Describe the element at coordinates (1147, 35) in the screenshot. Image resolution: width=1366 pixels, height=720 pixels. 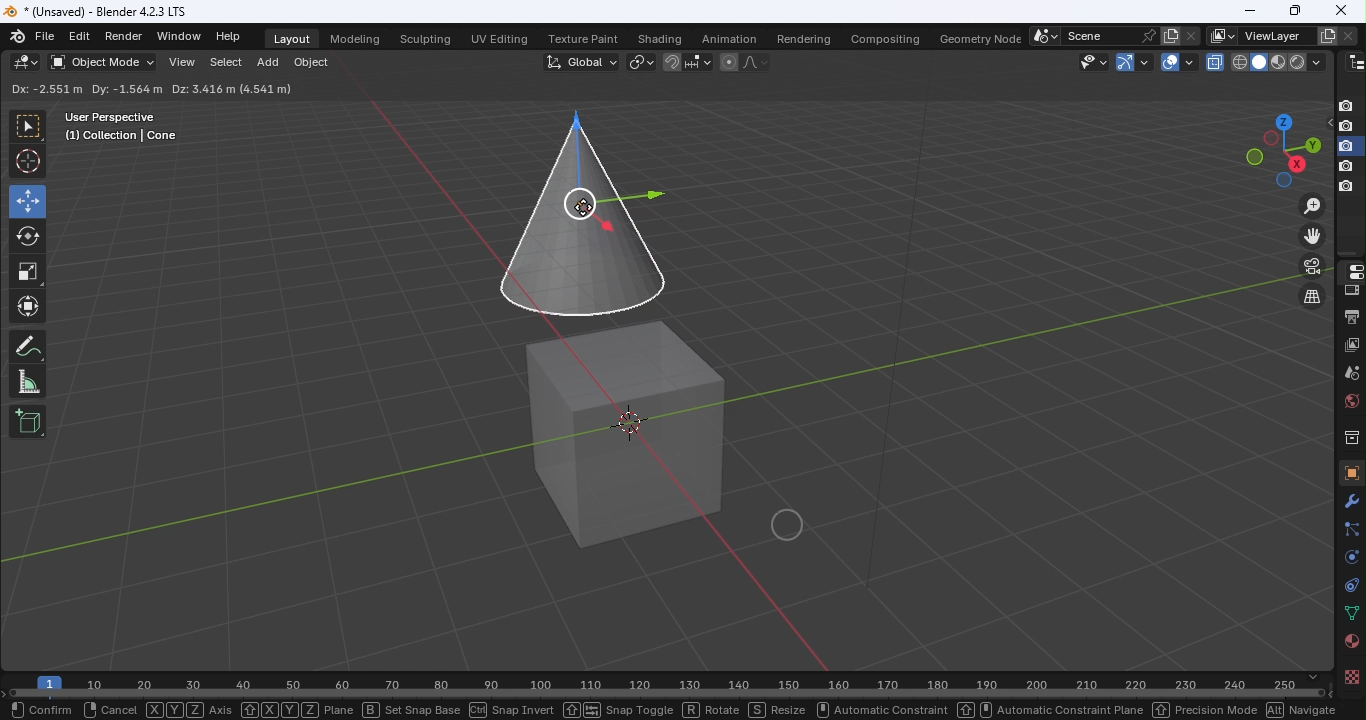
I see `Pin scene to workspace` at that location.